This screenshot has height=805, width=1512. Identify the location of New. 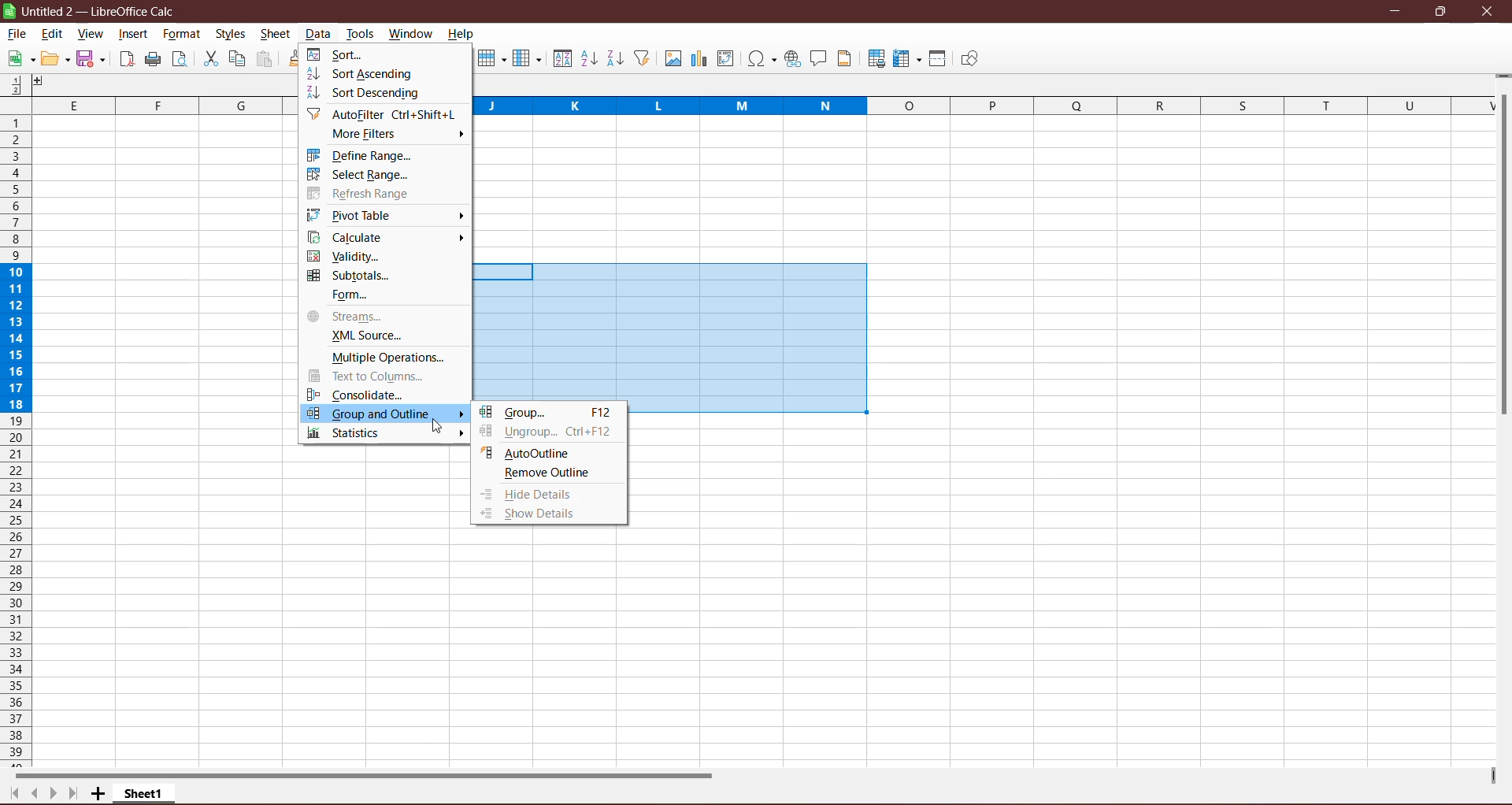
(19, 59).